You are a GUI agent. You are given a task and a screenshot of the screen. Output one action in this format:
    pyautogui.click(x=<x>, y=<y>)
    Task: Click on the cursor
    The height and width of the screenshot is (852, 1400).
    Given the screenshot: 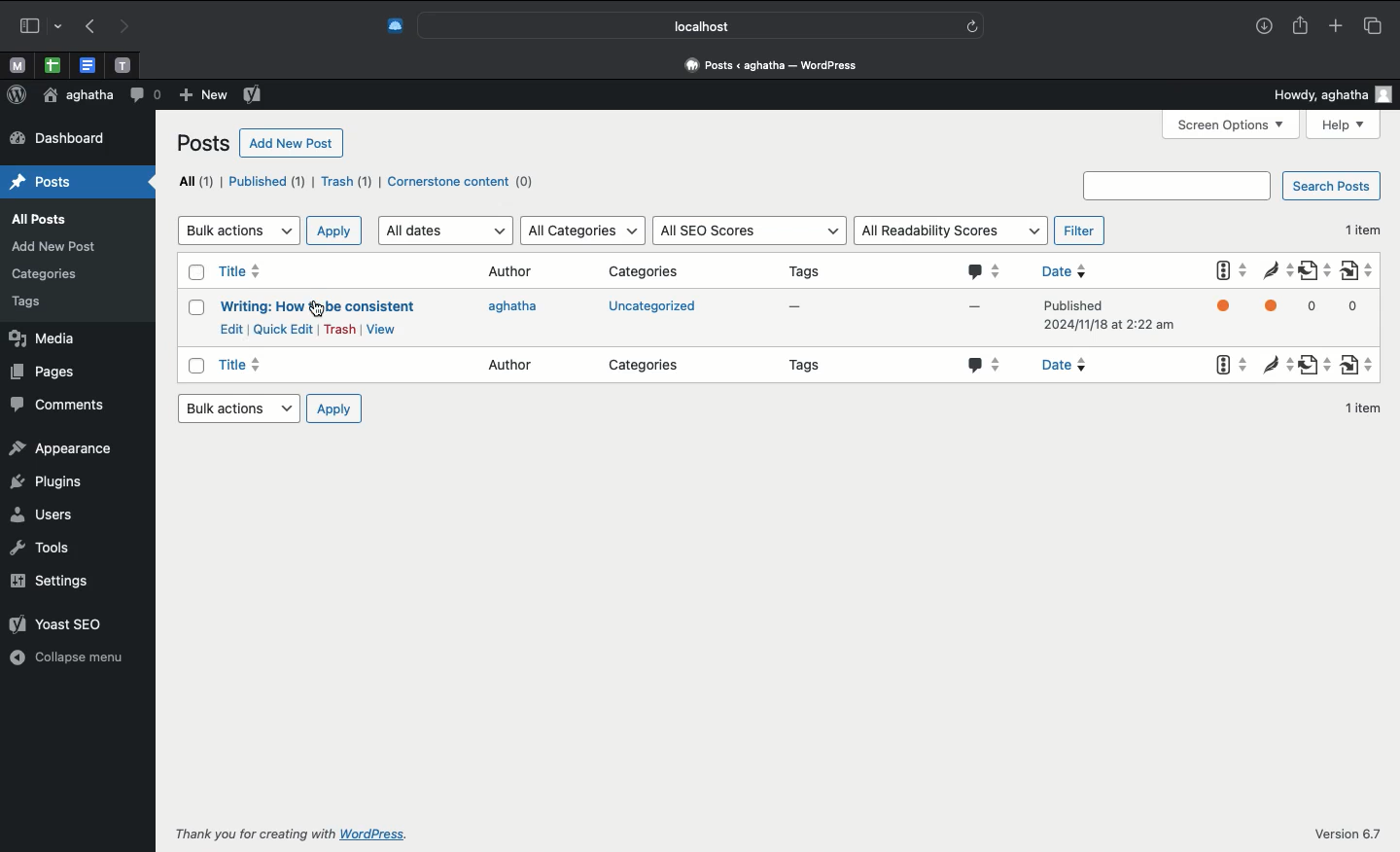 What is the action you would take?
    pyautogui.click(x=316, y=307)
    